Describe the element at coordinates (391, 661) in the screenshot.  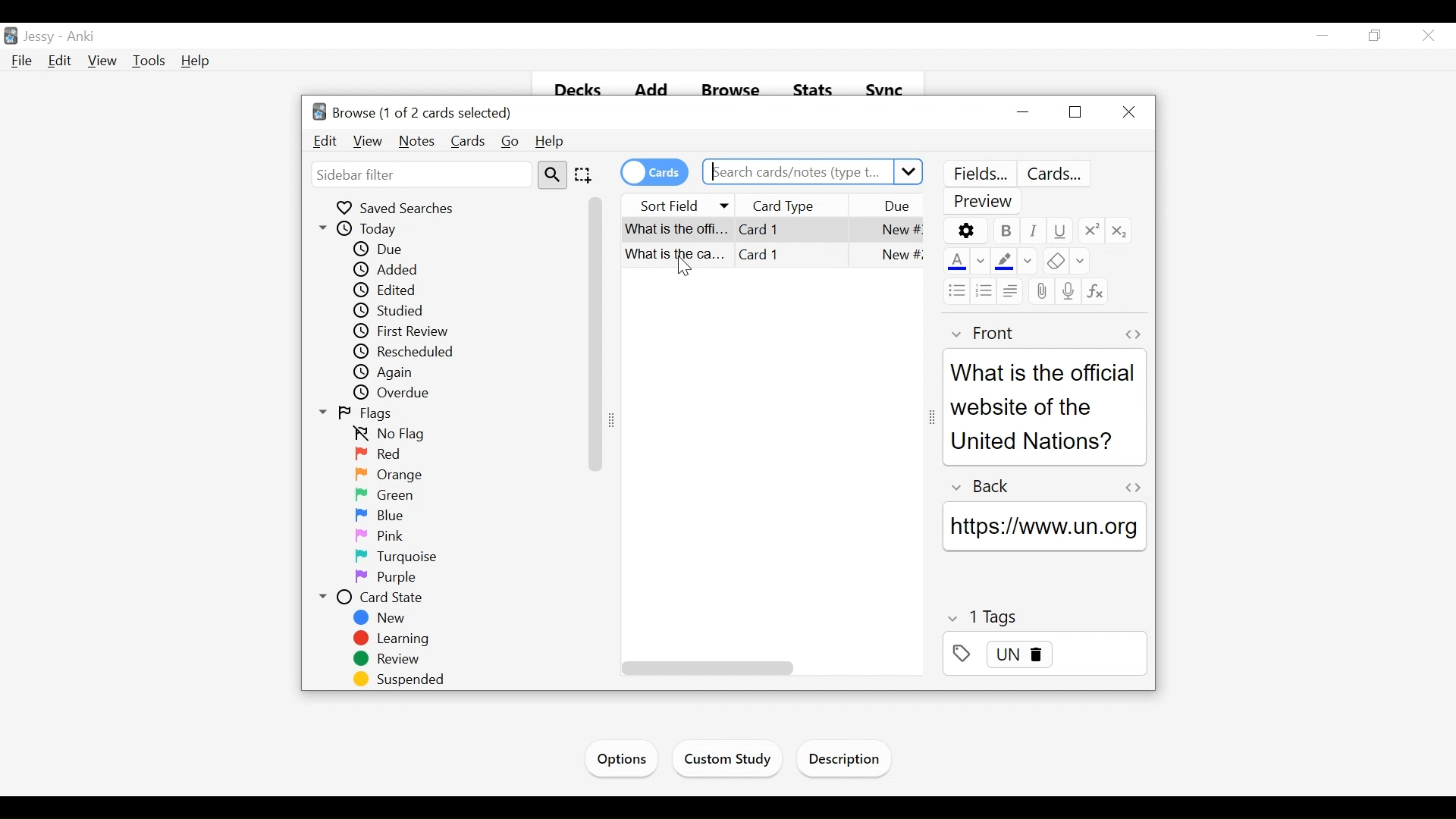
I see `Review` at that location.